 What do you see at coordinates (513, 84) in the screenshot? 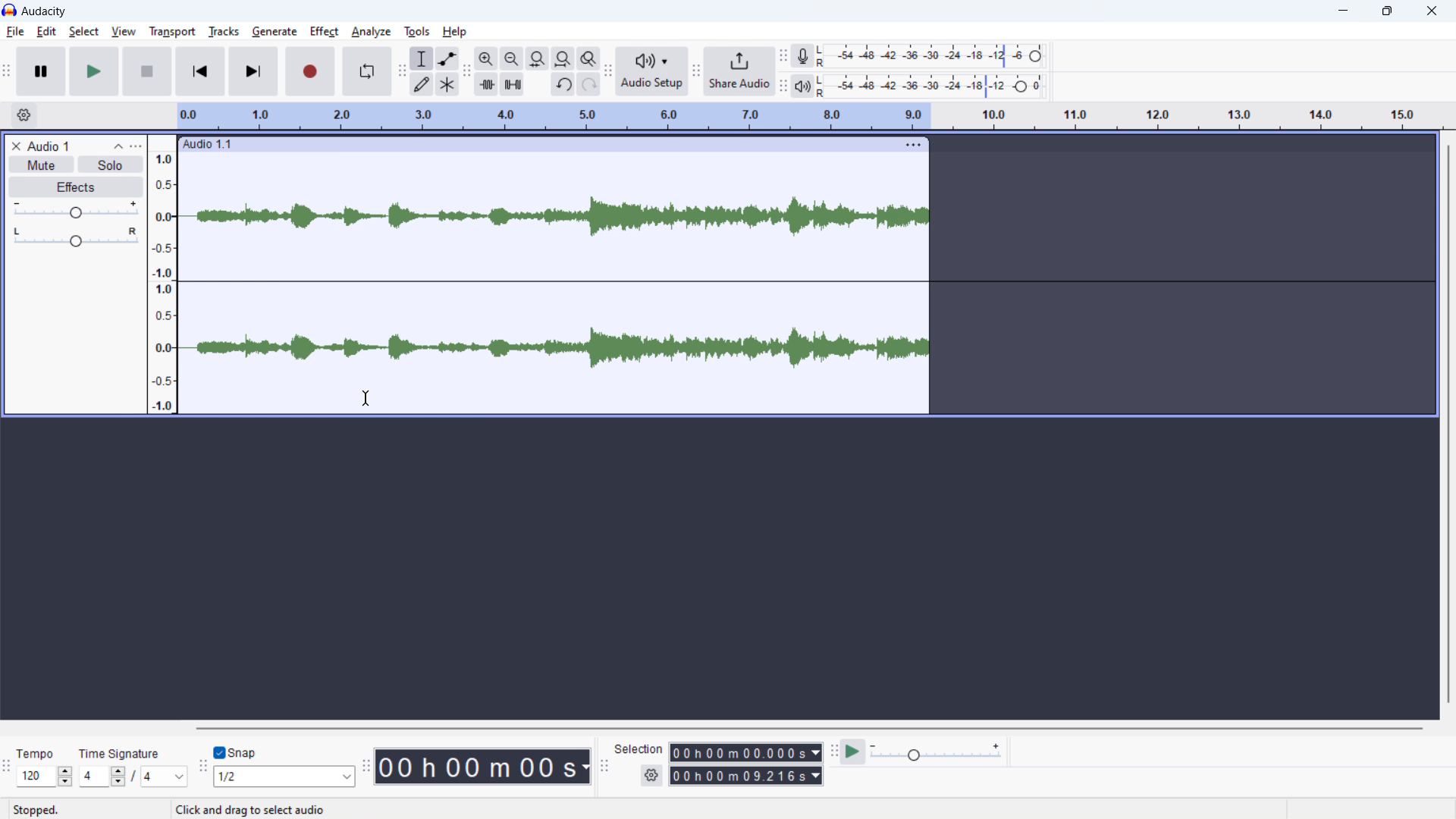
I see `silence audio selection` at bounding box center [513, 84].